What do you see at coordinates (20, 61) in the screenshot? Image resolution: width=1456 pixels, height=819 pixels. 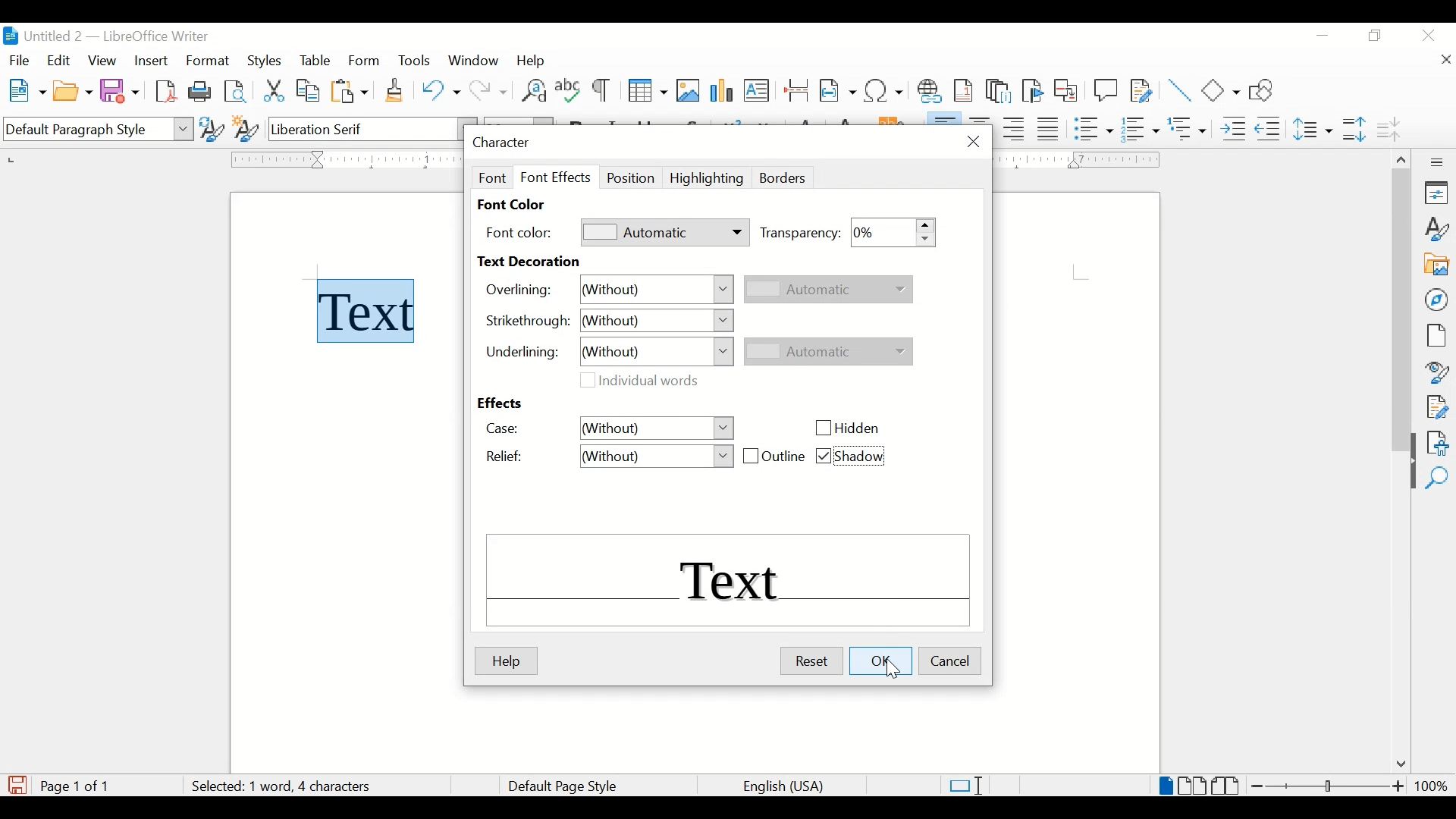 I see `fiel` at bounding box center [20, 61].